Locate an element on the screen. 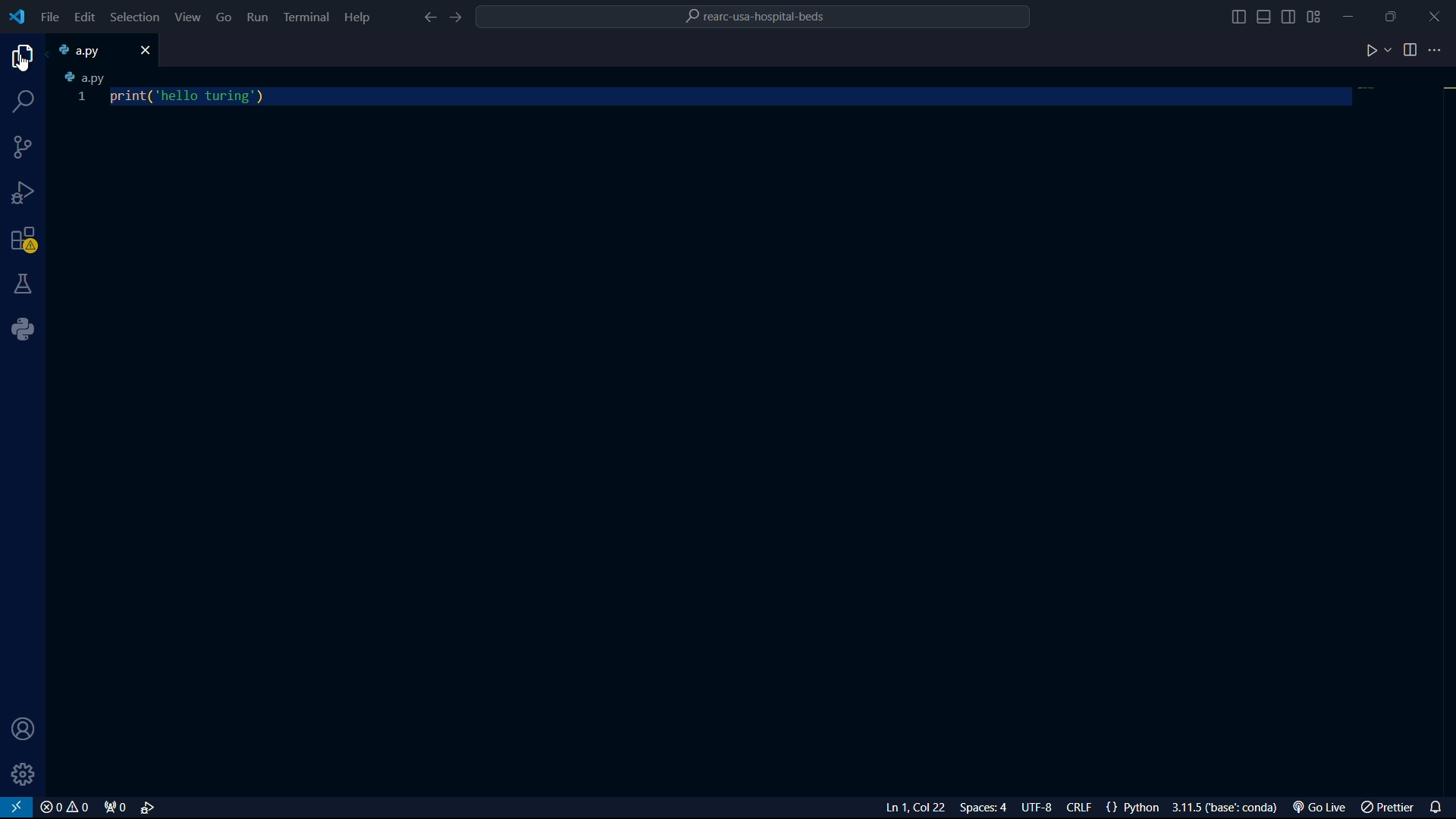  port forwarded is located at coordinates (112, 808).